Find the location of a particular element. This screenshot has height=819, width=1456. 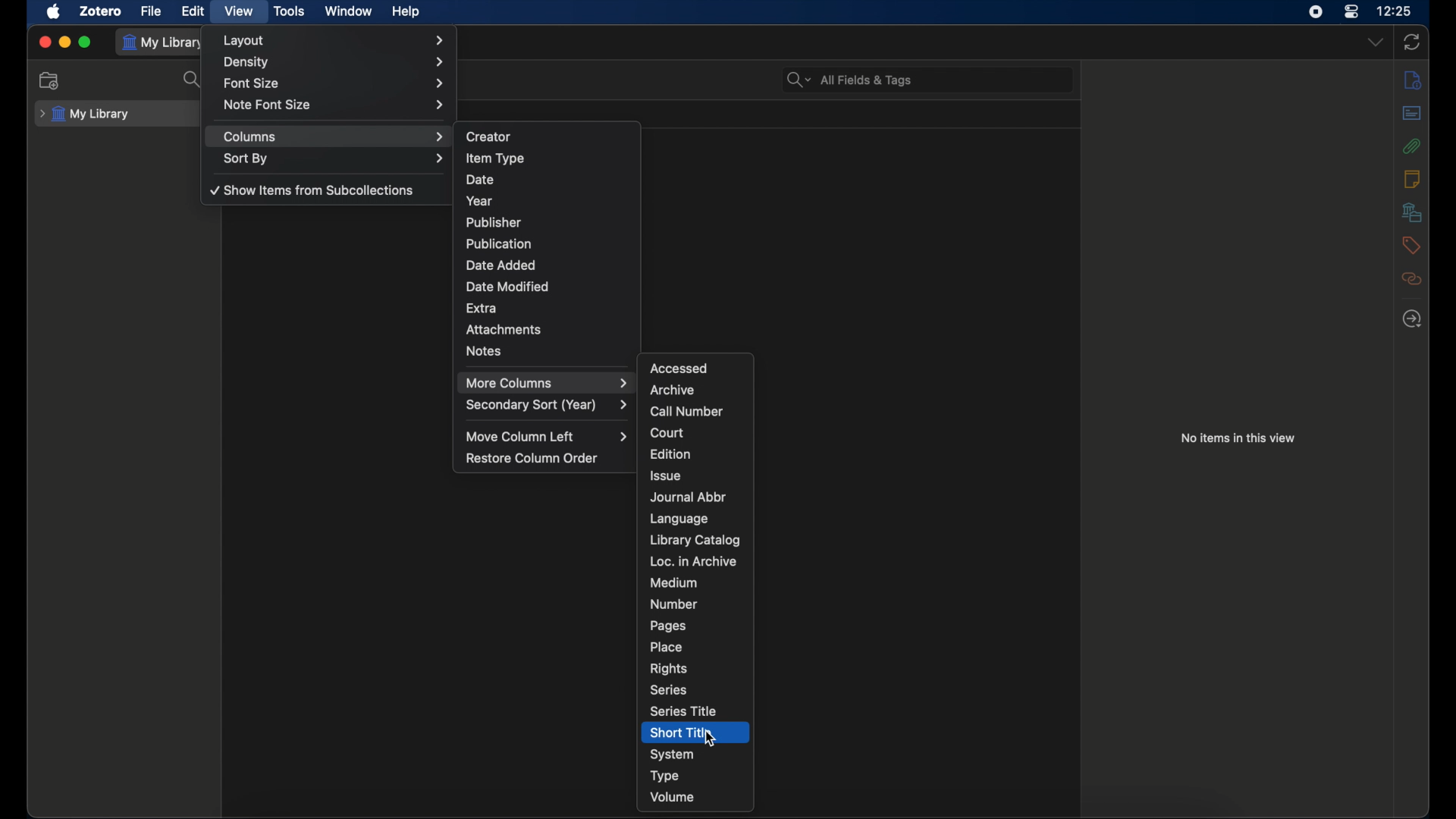

archive is located at coordinates (672, 391).